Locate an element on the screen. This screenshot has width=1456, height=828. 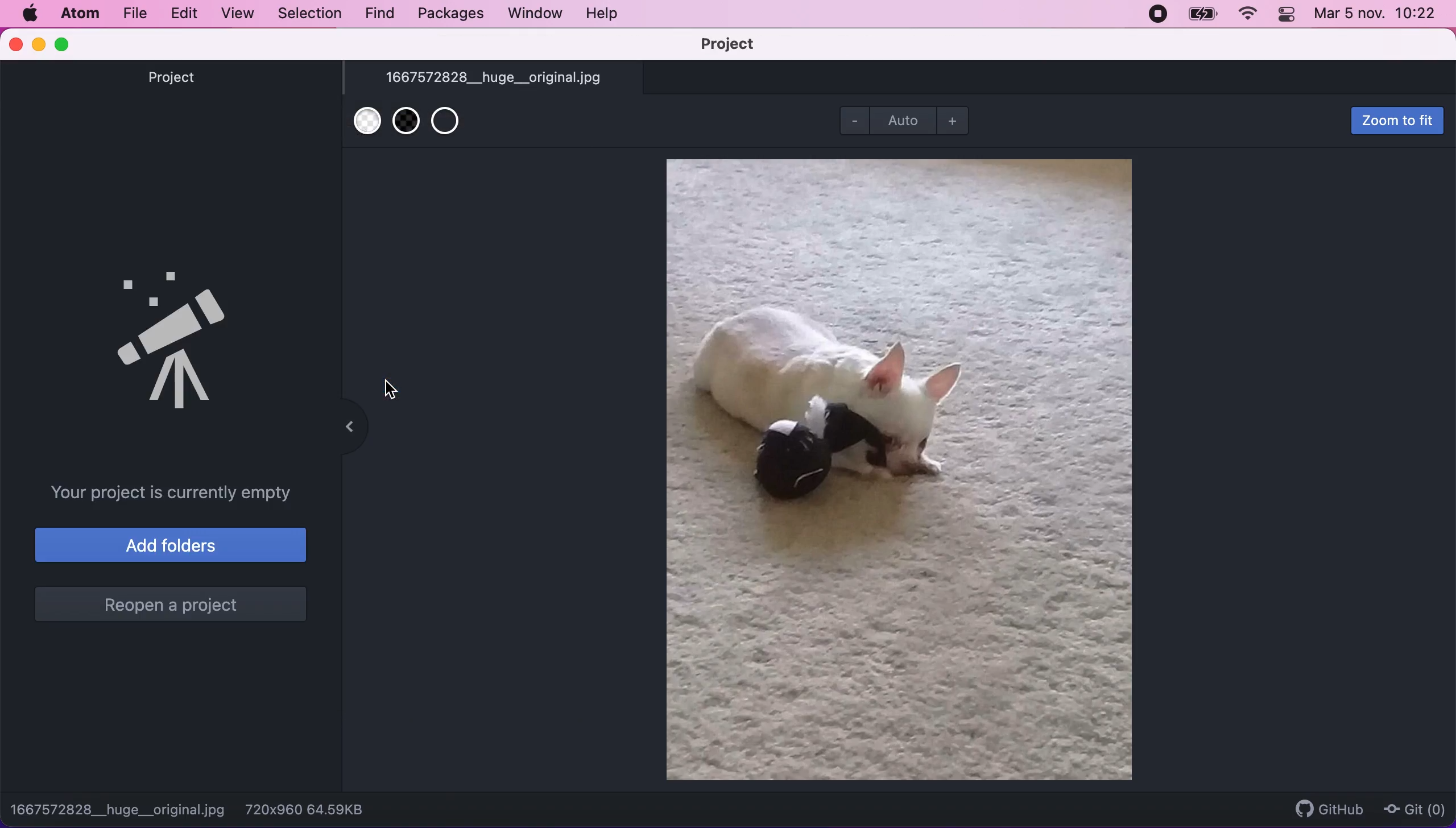
project is located at coordinates (184, 90).